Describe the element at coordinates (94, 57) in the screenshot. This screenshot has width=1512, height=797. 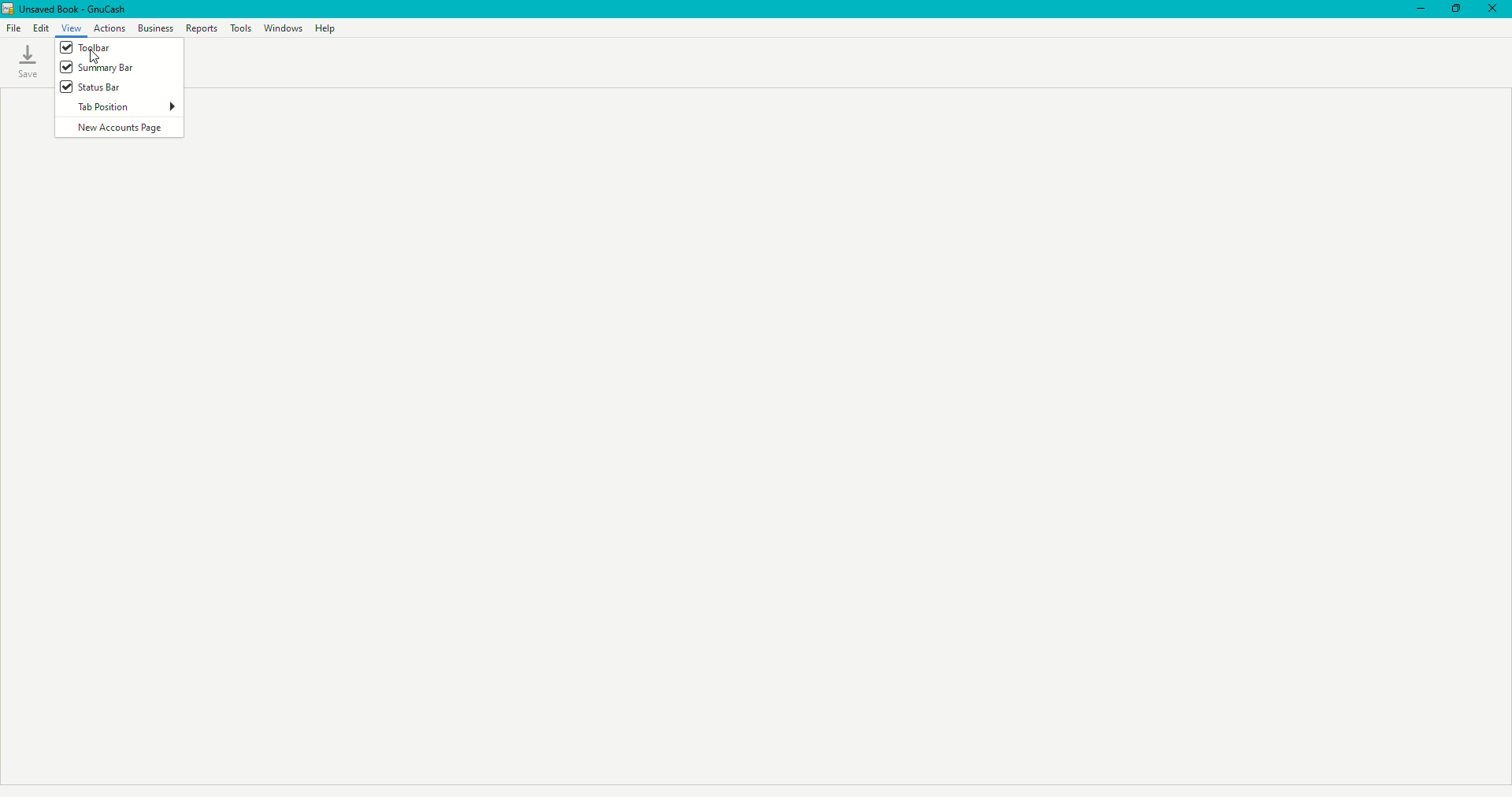
I see `cursor` at that location.